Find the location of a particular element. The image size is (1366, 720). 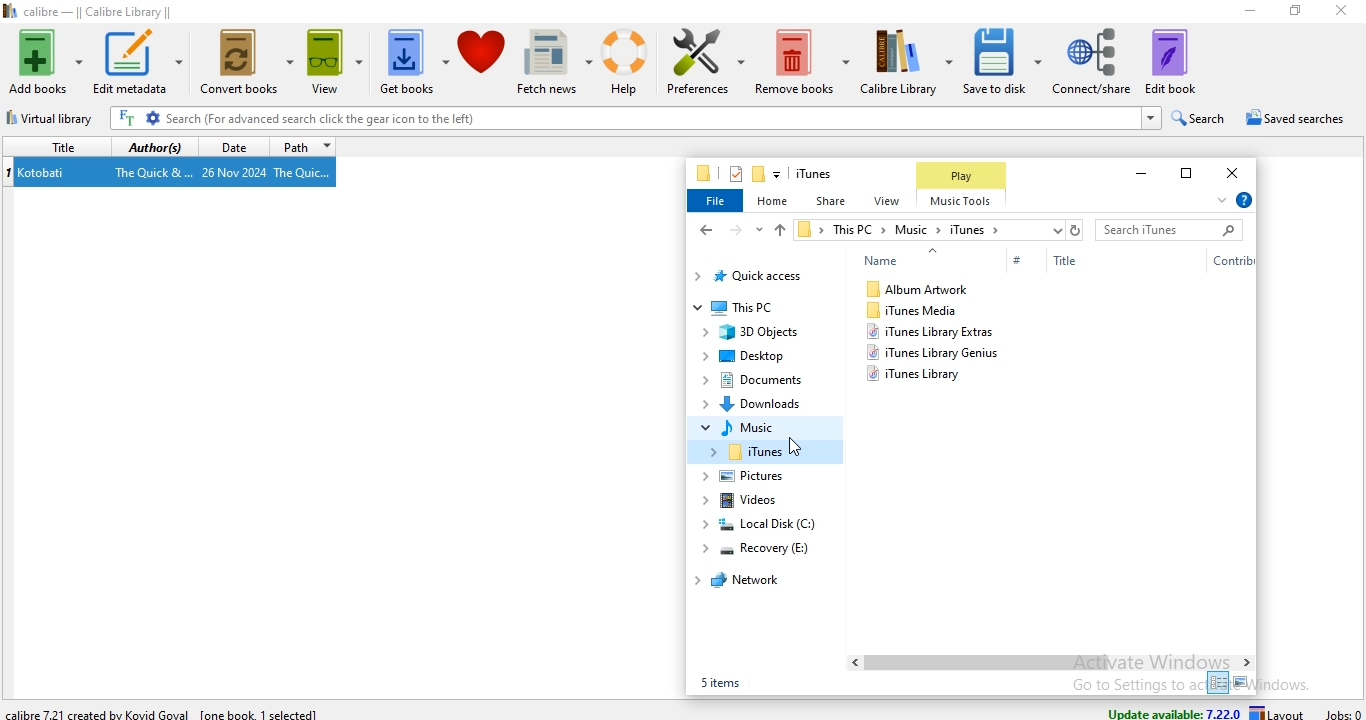

music is located at coordinates (743, 427).